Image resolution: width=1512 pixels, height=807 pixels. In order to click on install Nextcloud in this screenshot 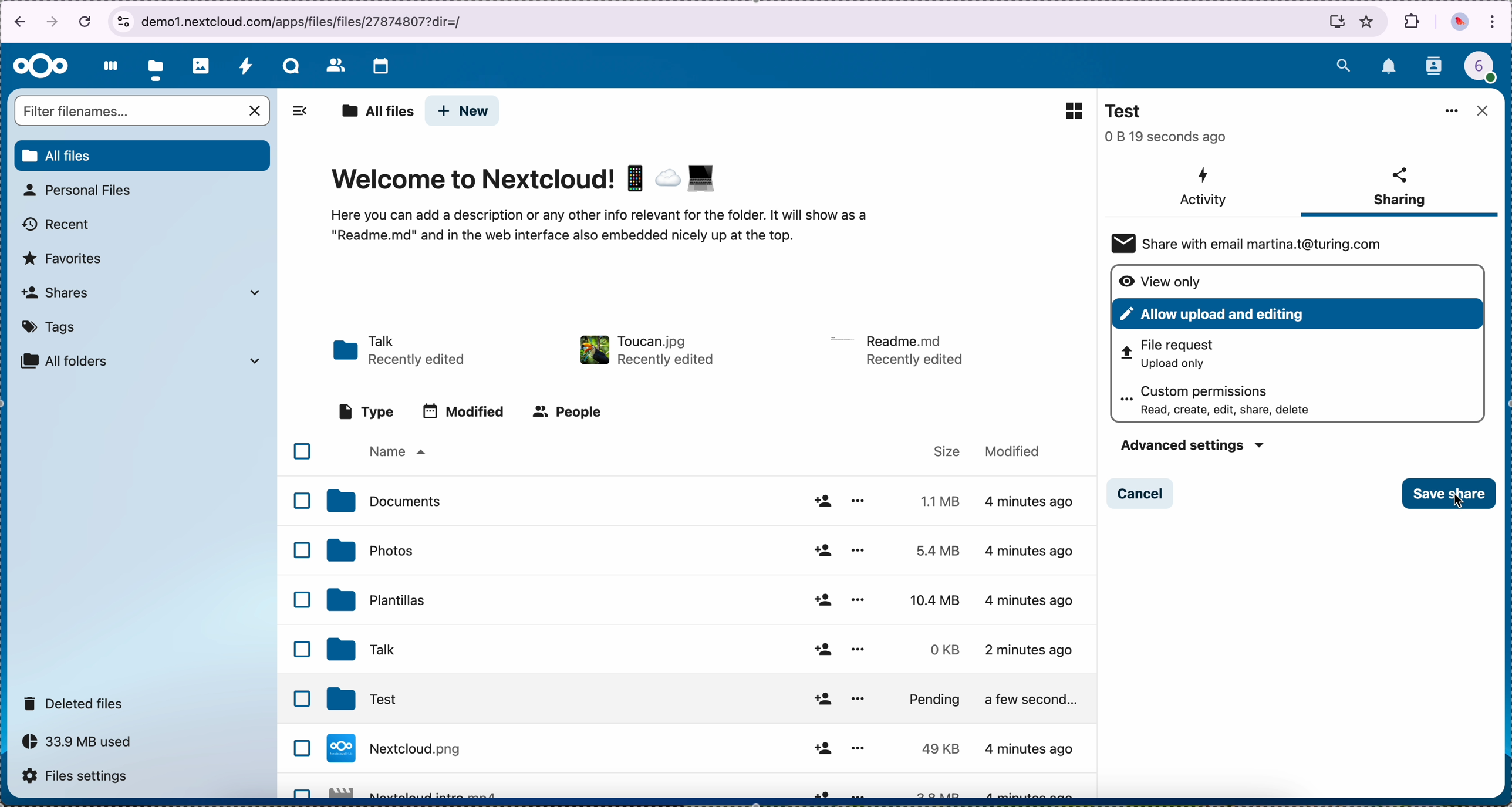, I will do `click(1337, 24)`.